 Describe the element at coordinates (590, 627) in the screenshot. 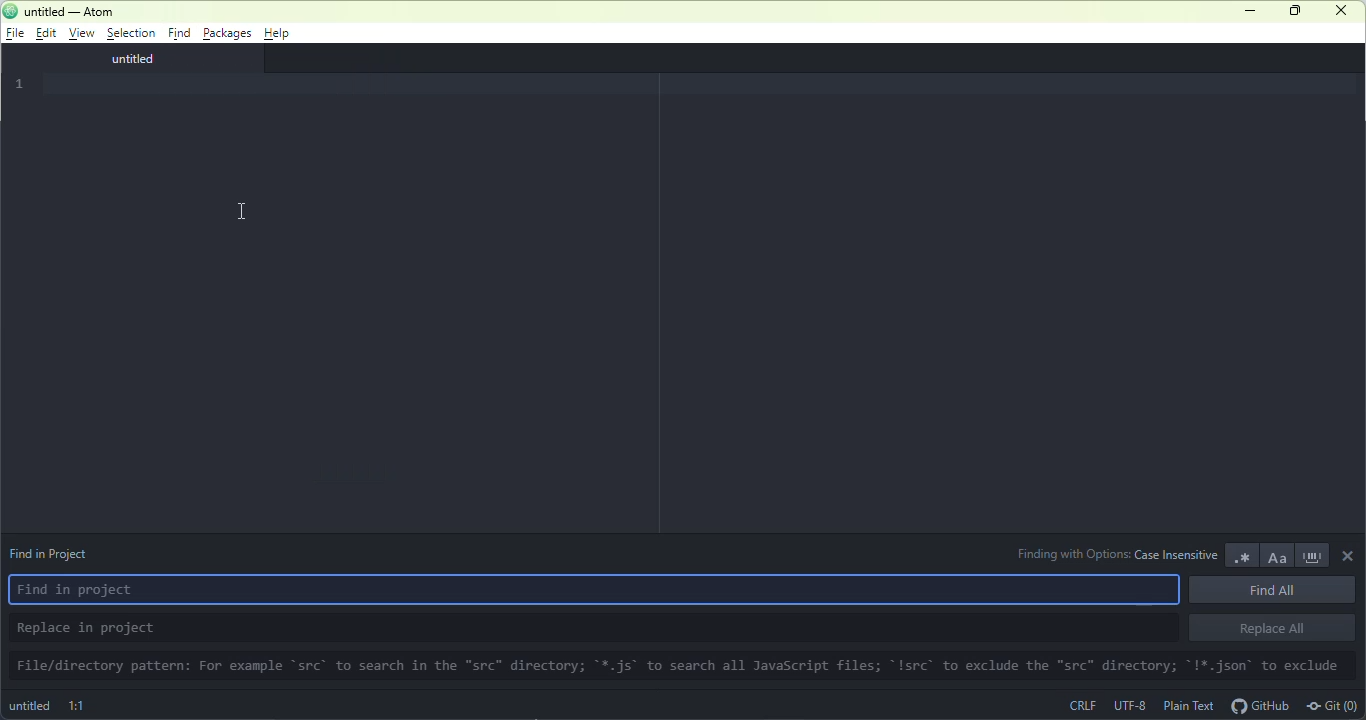

I see `replace in project` at that location.